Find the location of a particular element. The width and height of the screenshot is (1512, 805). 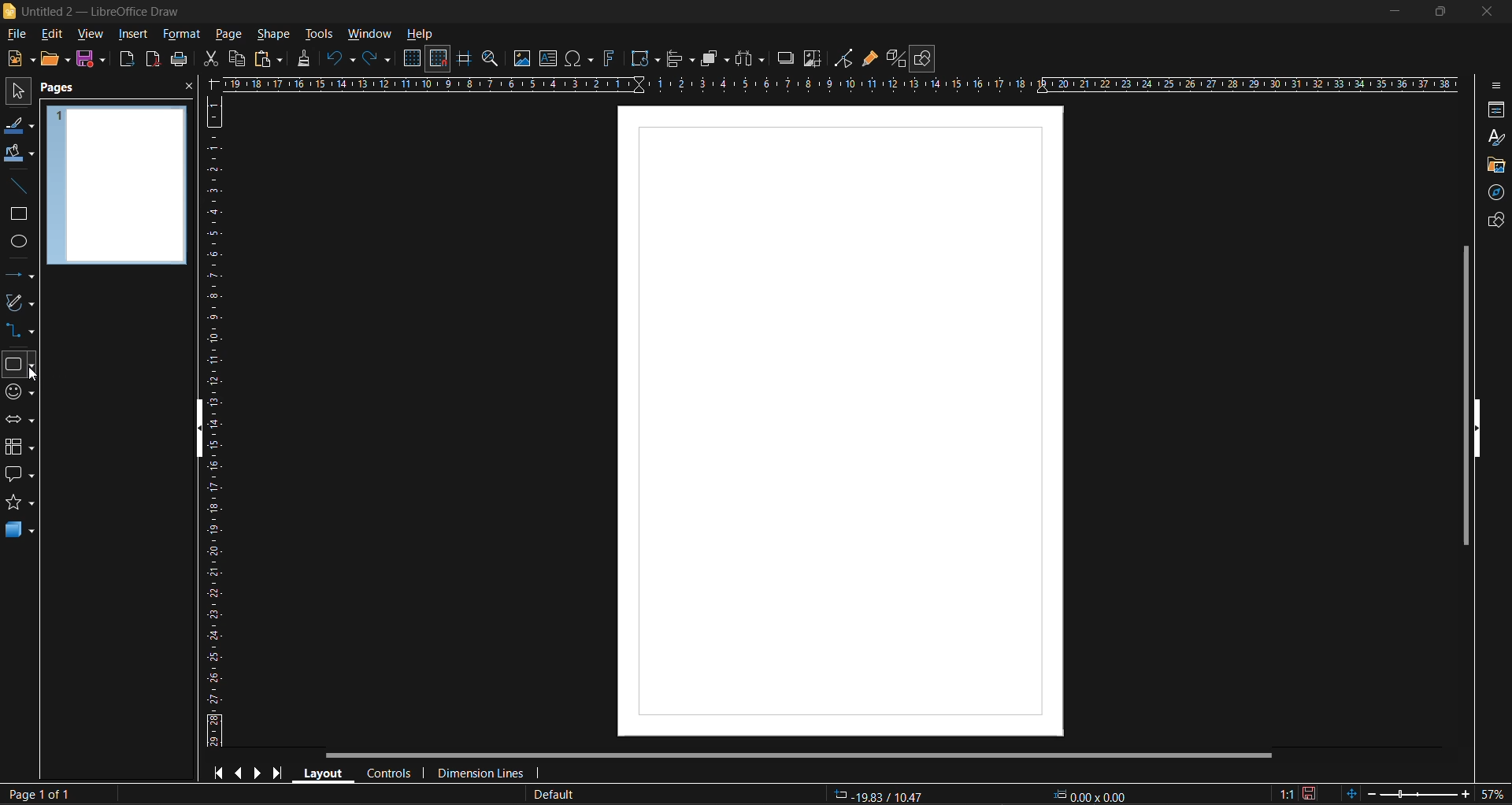

zoom factor is located at coordinates (1492, 793).